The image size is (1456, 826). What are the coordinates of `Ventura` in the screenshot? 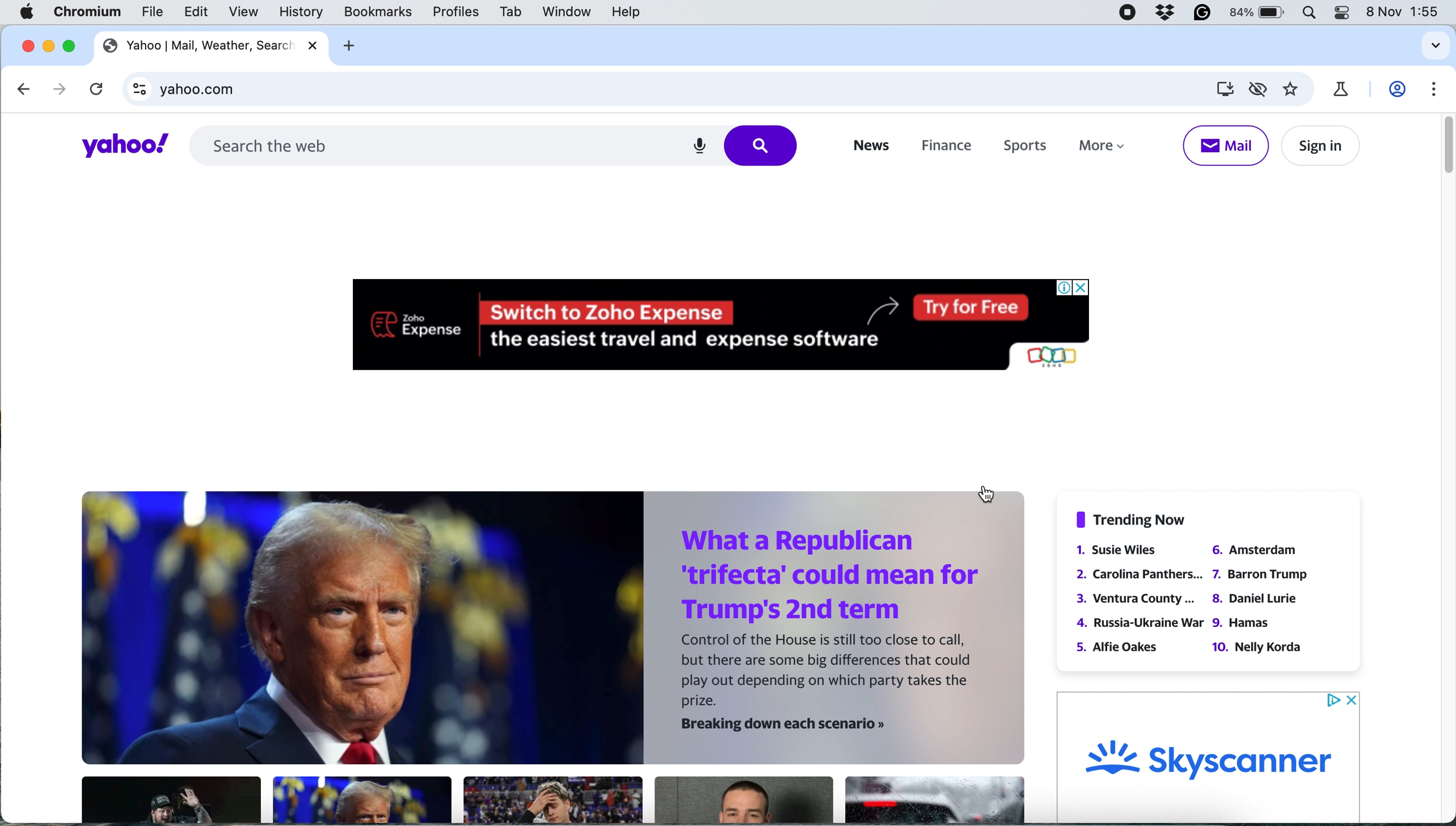 It's located at (1137, 599).